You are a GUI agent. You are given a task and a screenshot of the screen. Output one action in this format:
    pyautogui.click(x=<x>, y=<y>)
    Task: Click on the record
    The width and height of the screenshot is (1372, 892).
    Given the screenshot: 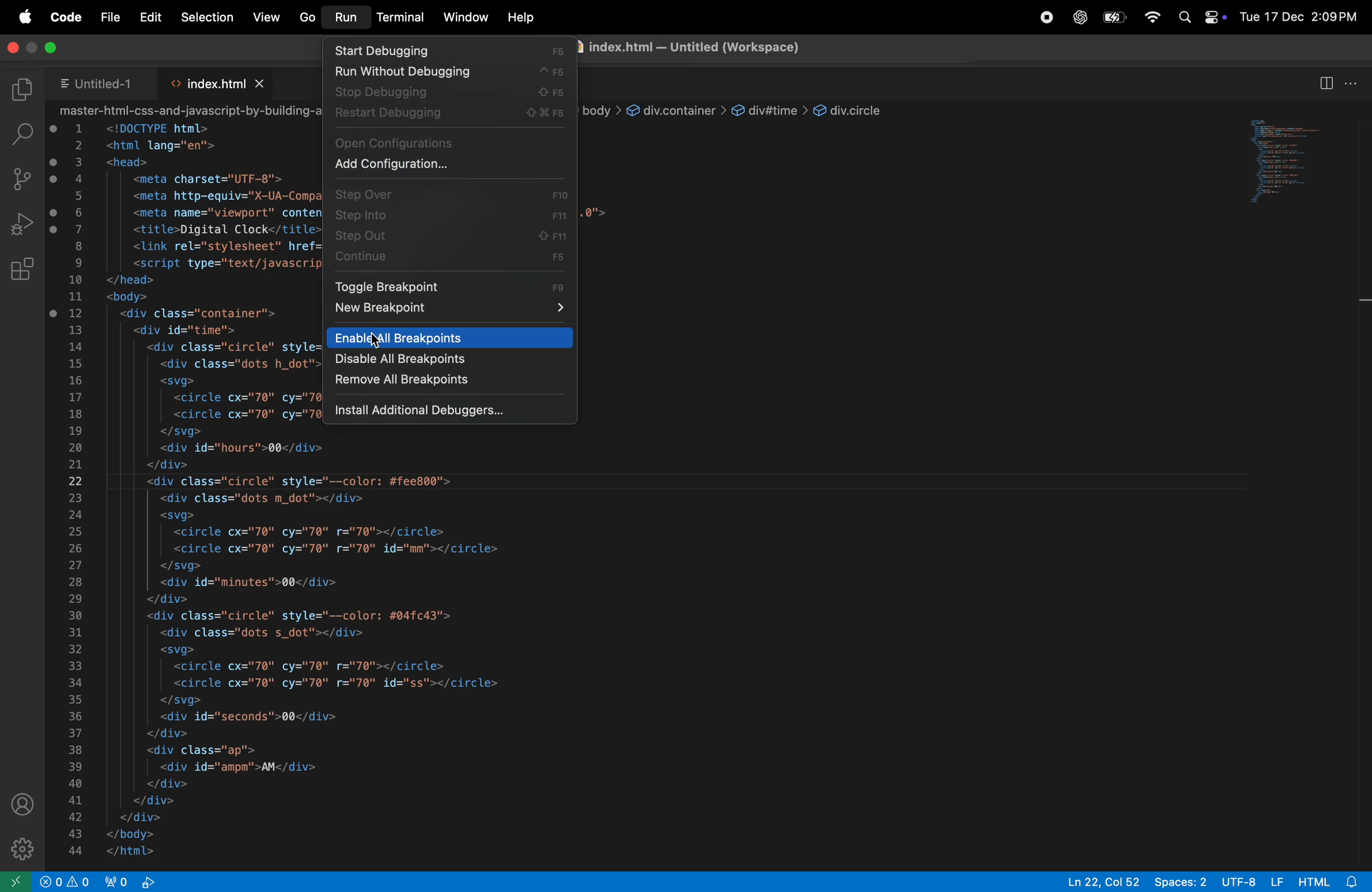 What is the action you would take?
    pyautogui.click(x=1041, y=18)
    